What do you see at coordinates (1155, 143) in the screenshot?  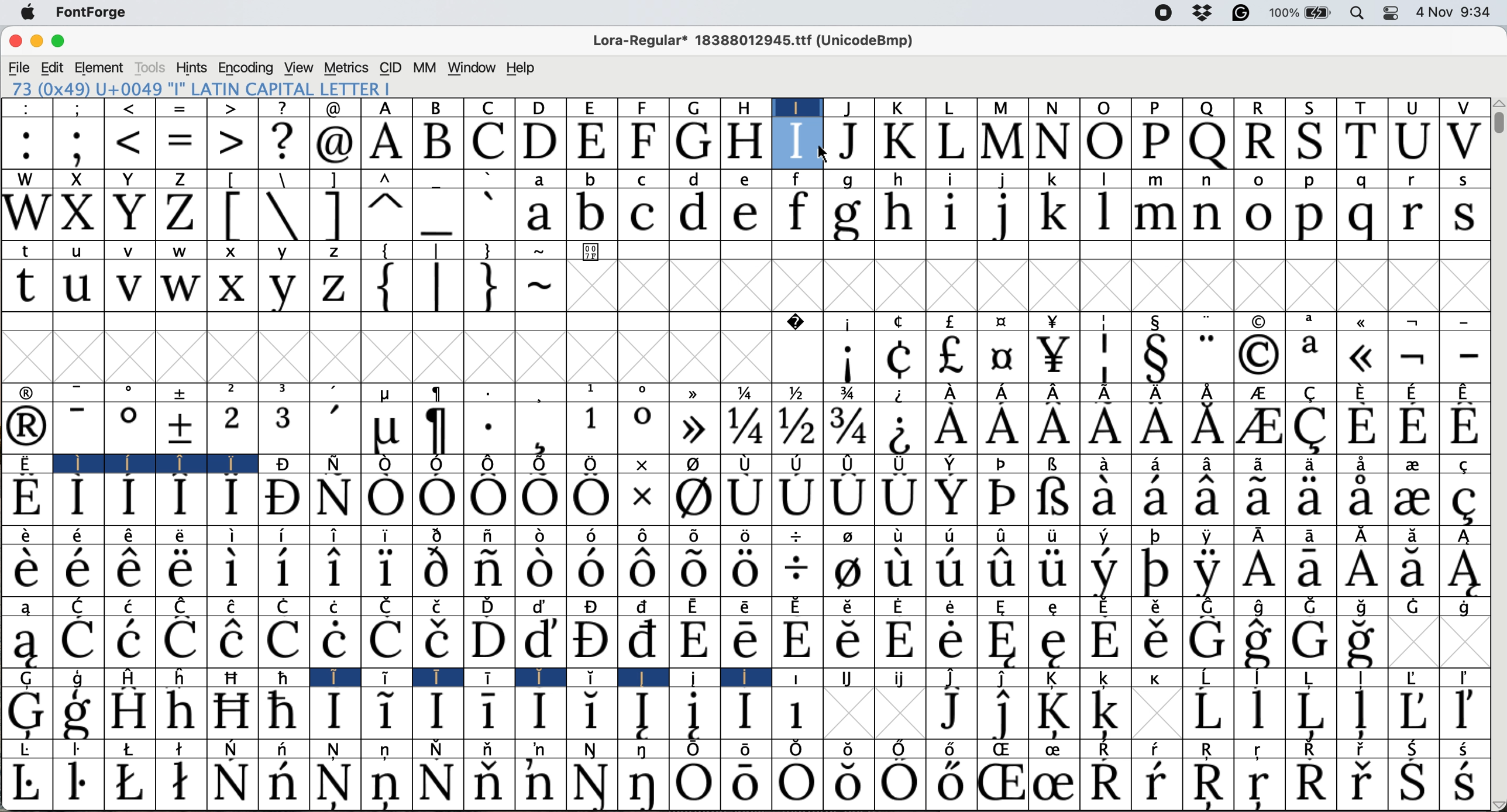 I see `P` at bounding box center [1155, 143].